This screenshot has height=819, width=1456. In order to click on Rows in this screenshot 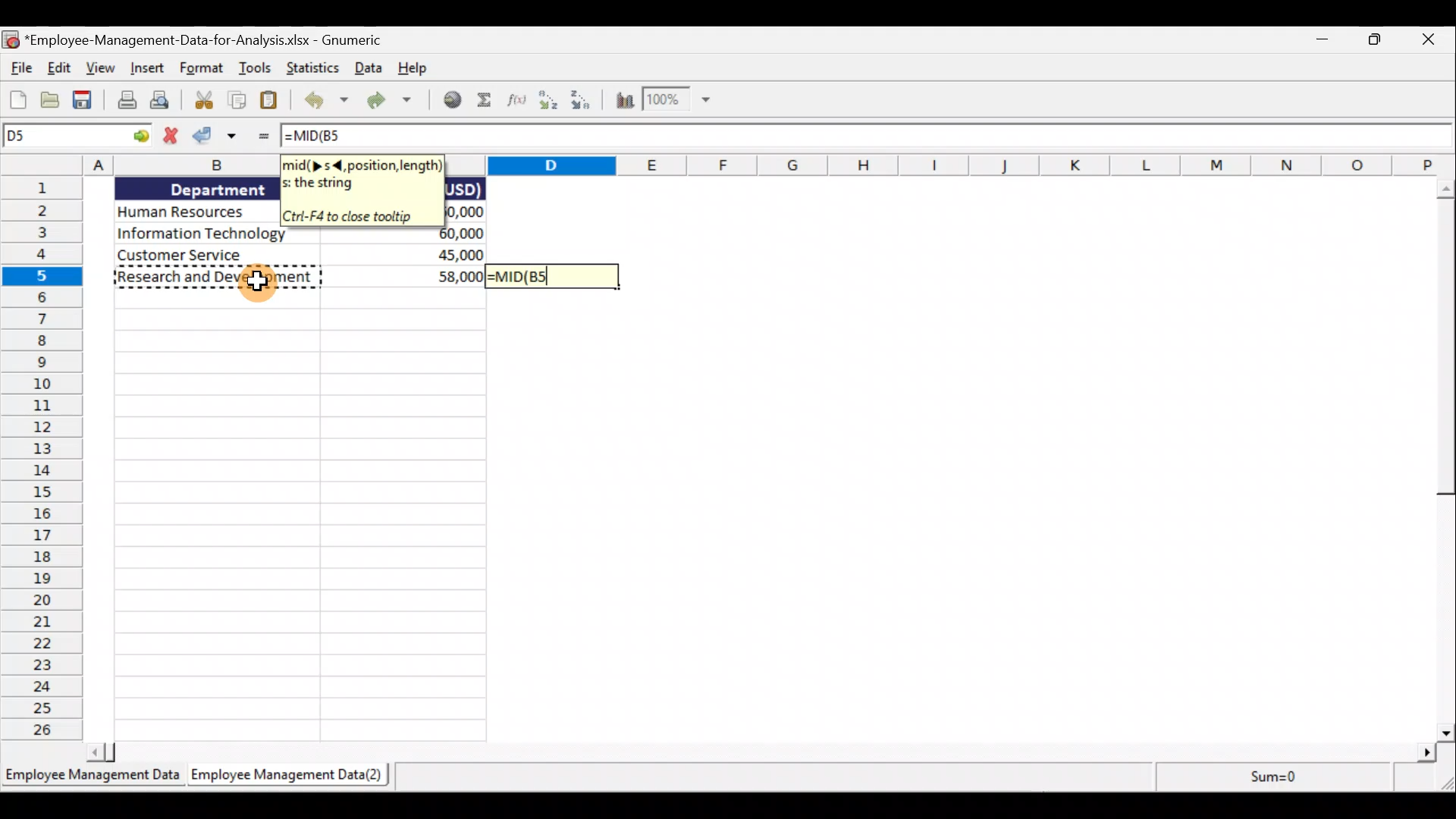, I will do `click(41, 460)`.